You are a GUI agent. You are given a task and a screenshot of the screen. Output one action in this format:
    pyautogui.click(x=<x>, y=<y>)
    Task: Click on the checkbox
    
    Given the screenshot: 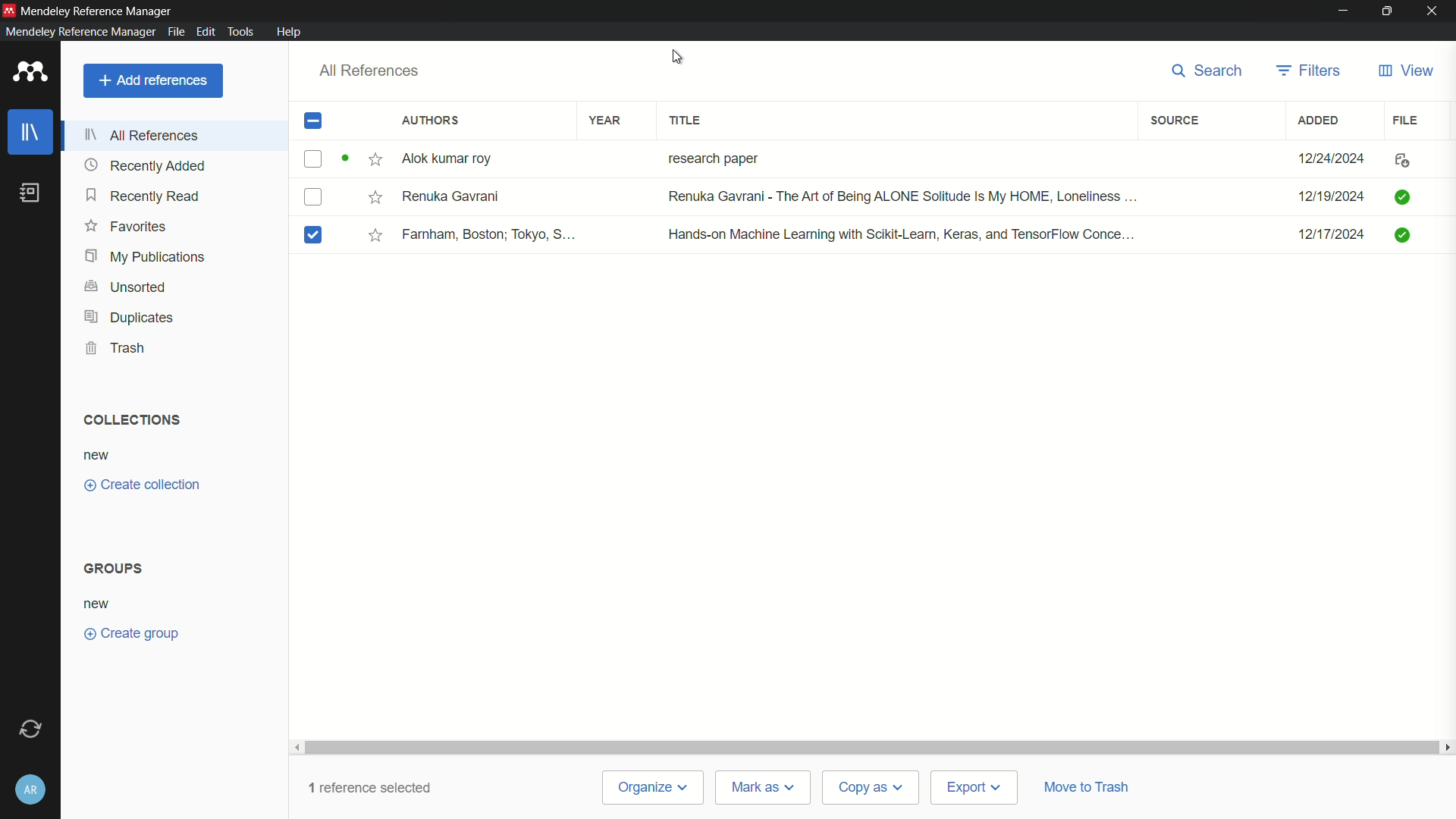 What is the action you would take?
    pyautogui.click(x=313, y=198)
    